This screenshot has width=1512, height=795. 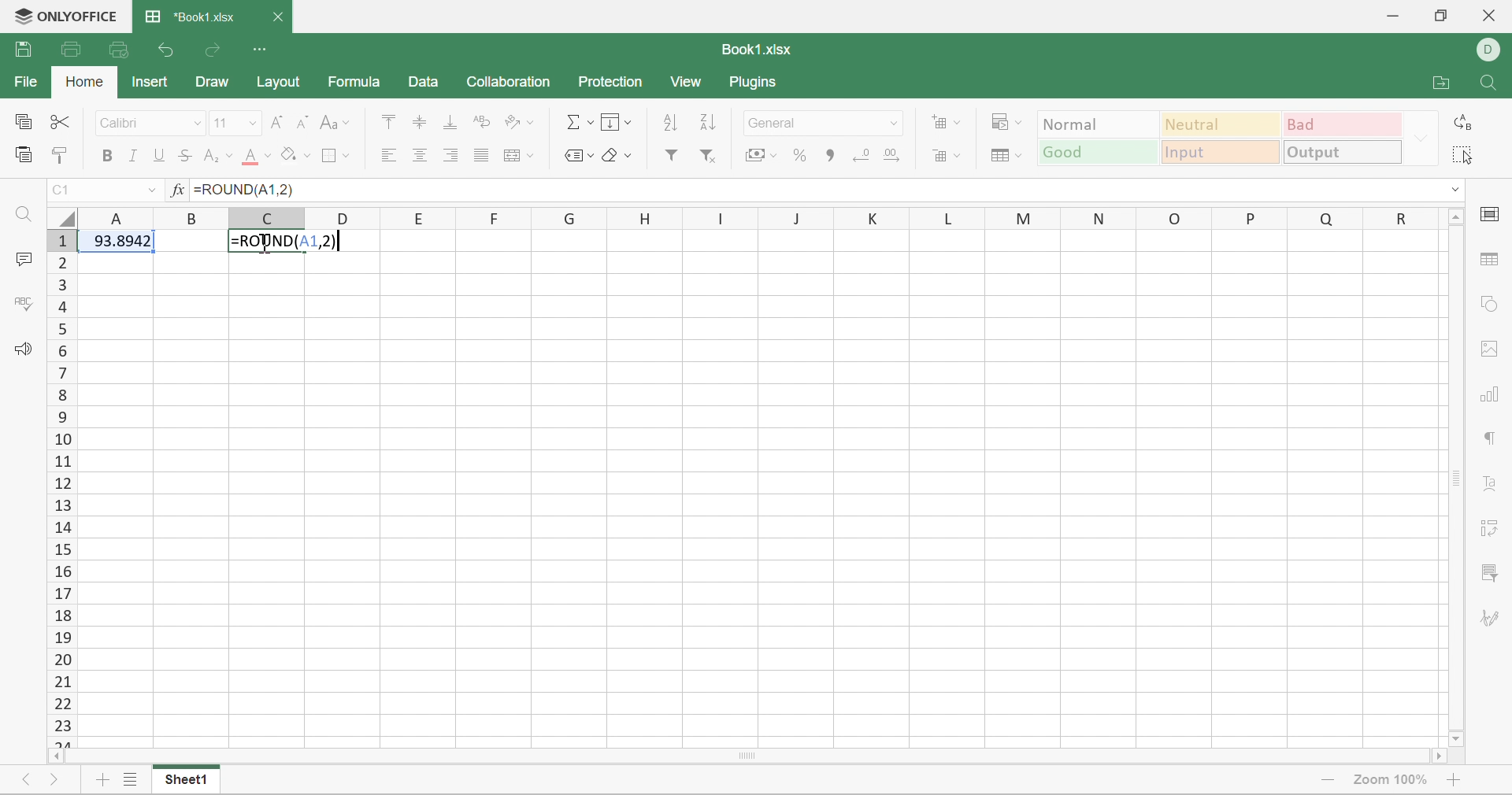 What do you see at coordinates (21, 120) in the screenshot?
I see `Copy` at bounding box center [21, 120].